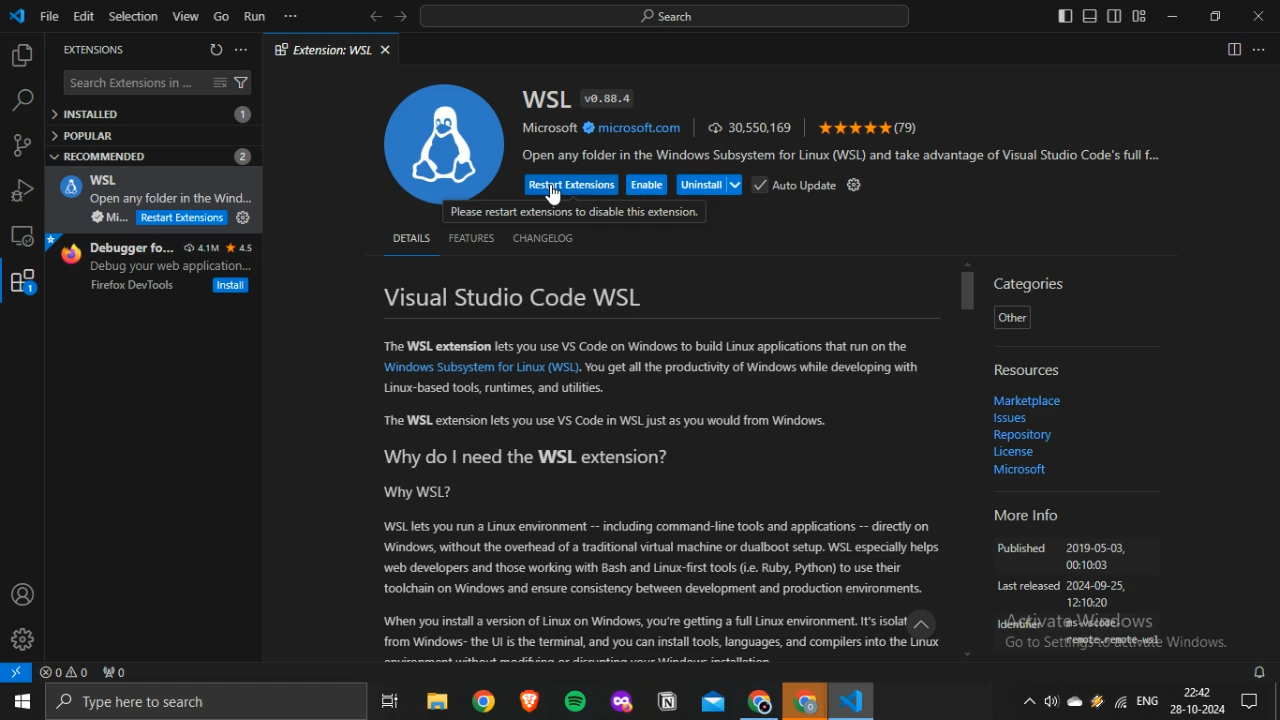 The width and height of the screenshot is (1280, 720). I want to click on source control, so click(21, 145).